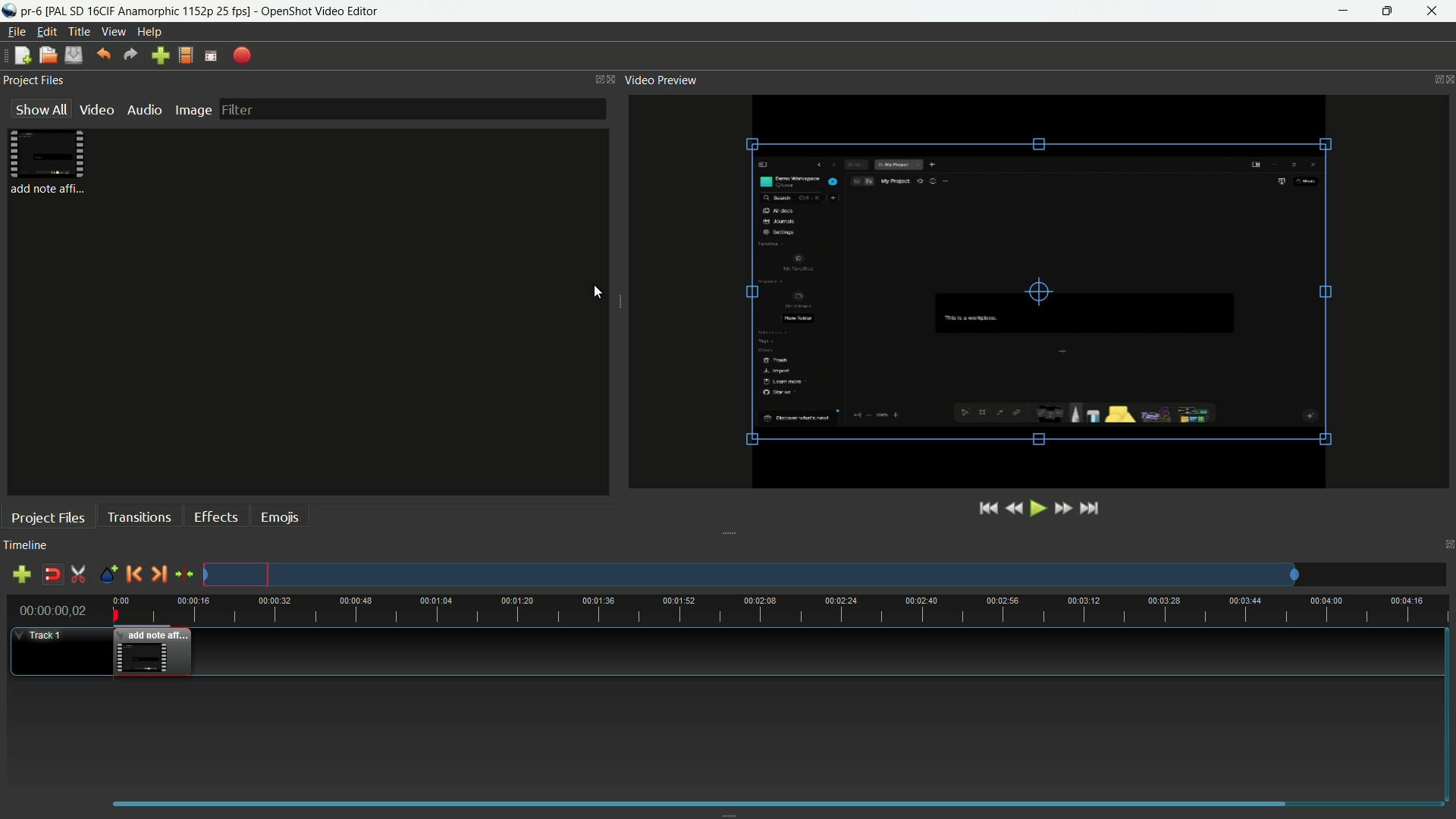 Image resolution: width=1456 pixels, height=819 pixels. Describe the element at coordinates (158, 575) in the screenshot. I see `next marker` at that location.